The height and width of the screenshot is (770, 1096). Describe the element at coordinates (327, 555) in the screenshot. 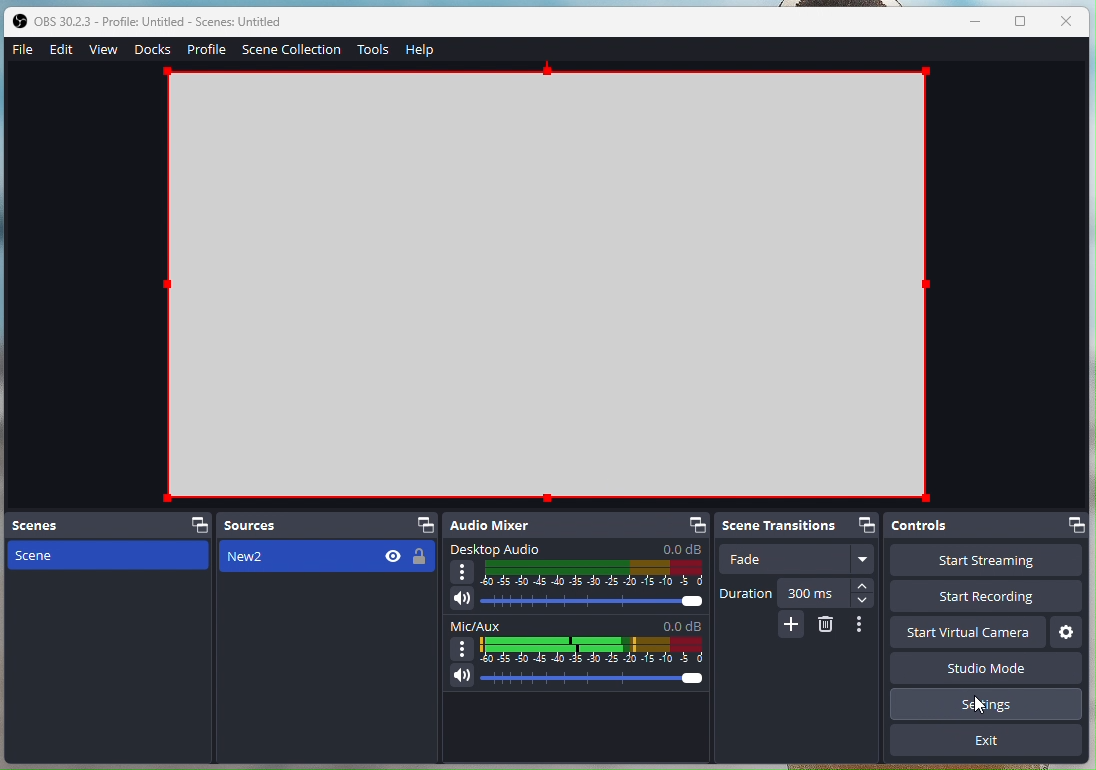

I see `New2` at that location.